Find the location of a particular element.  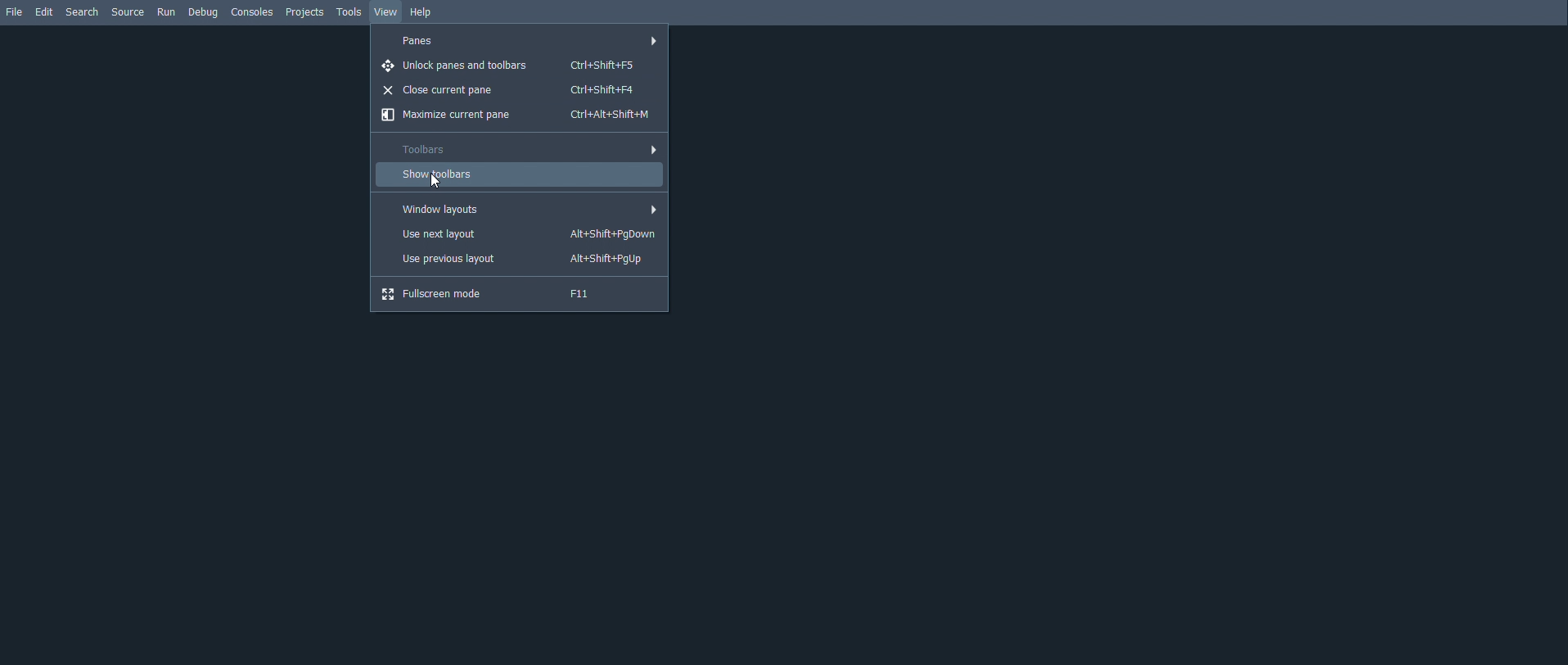

Tools is located at coordinates (349, 11).